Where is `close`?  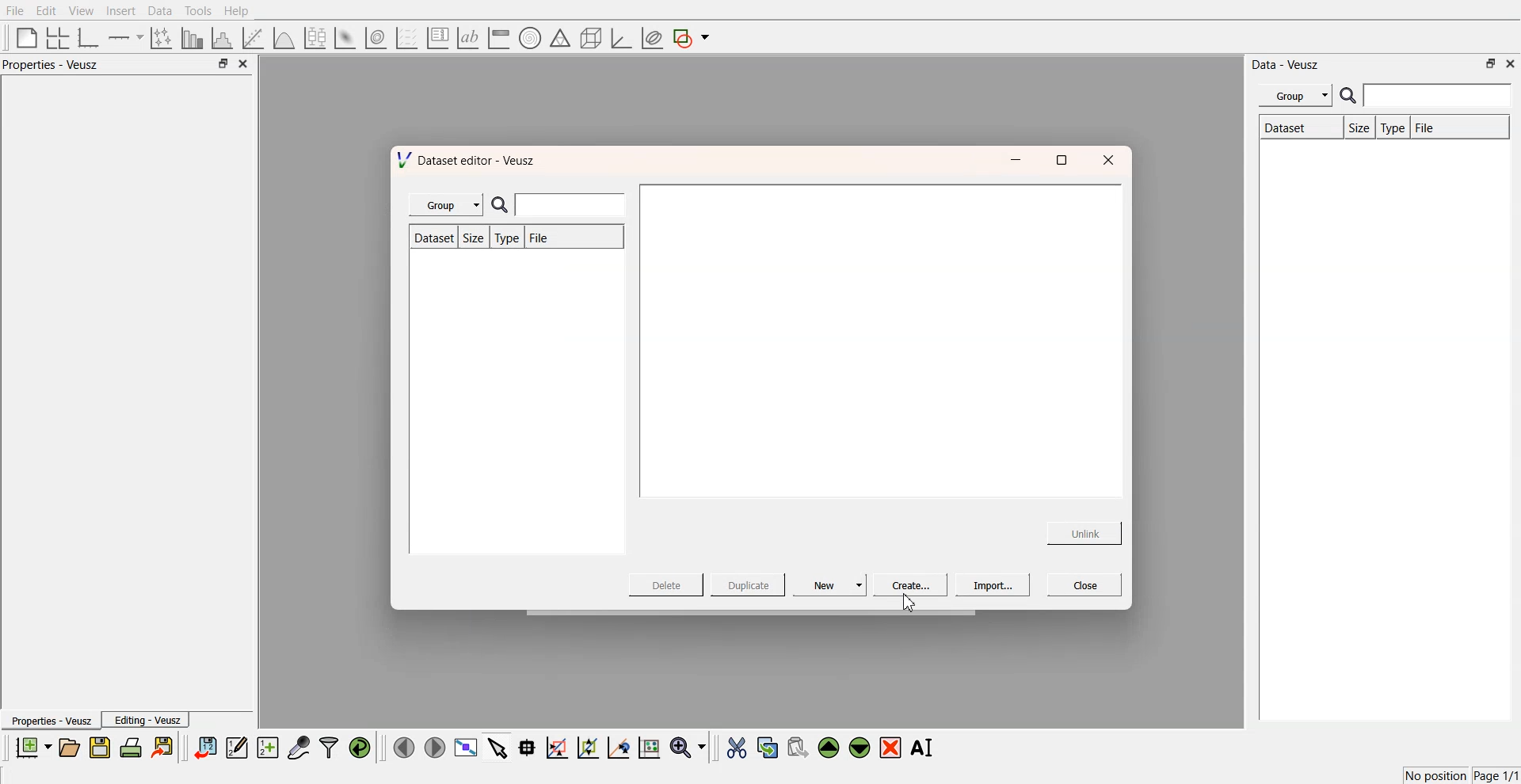 close is located at coordinates (1107, 159).